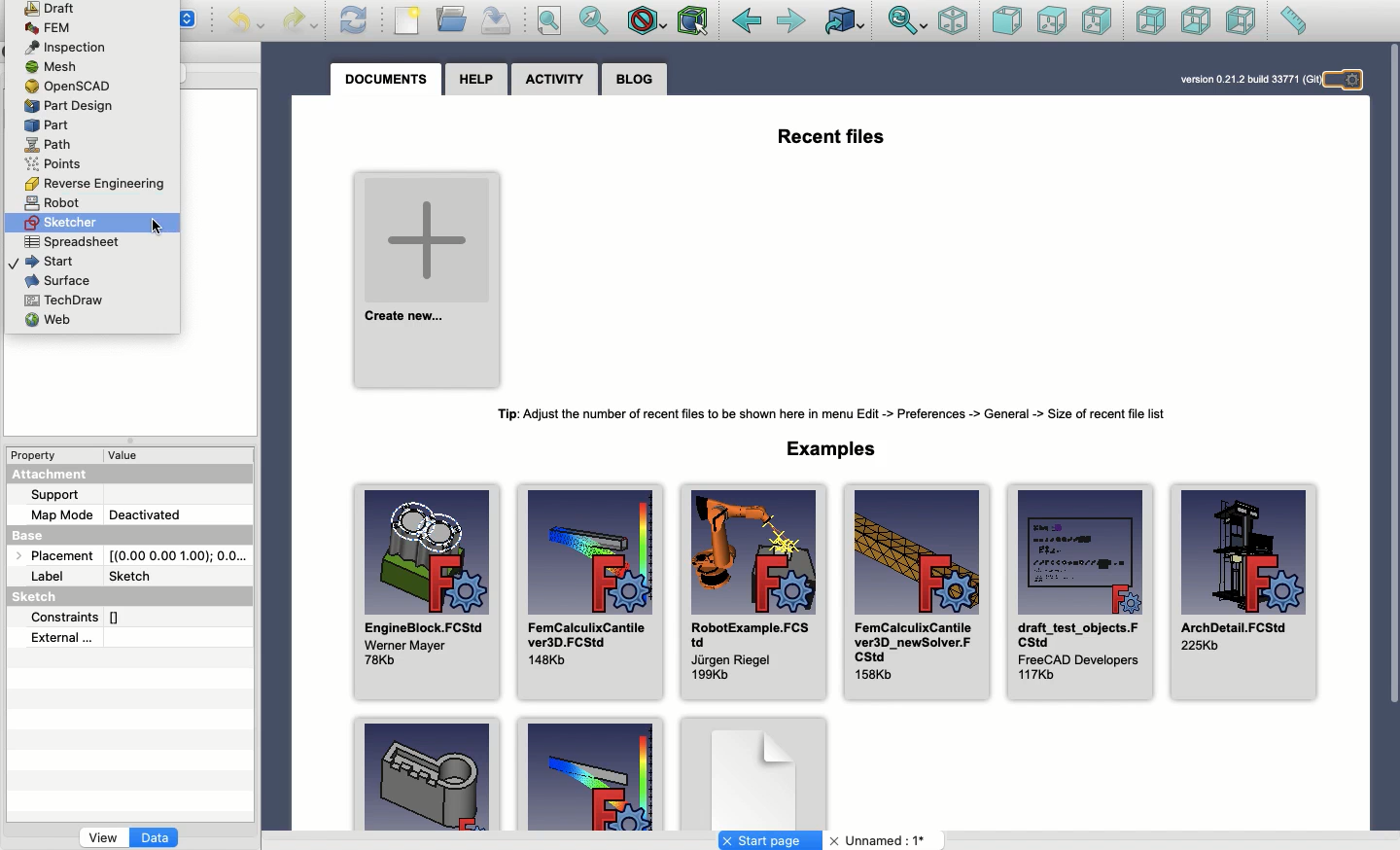  What do you see at coordinates (62, 223) in the screenshot?
I see `Sketcher` at bounding box center [62, 223].